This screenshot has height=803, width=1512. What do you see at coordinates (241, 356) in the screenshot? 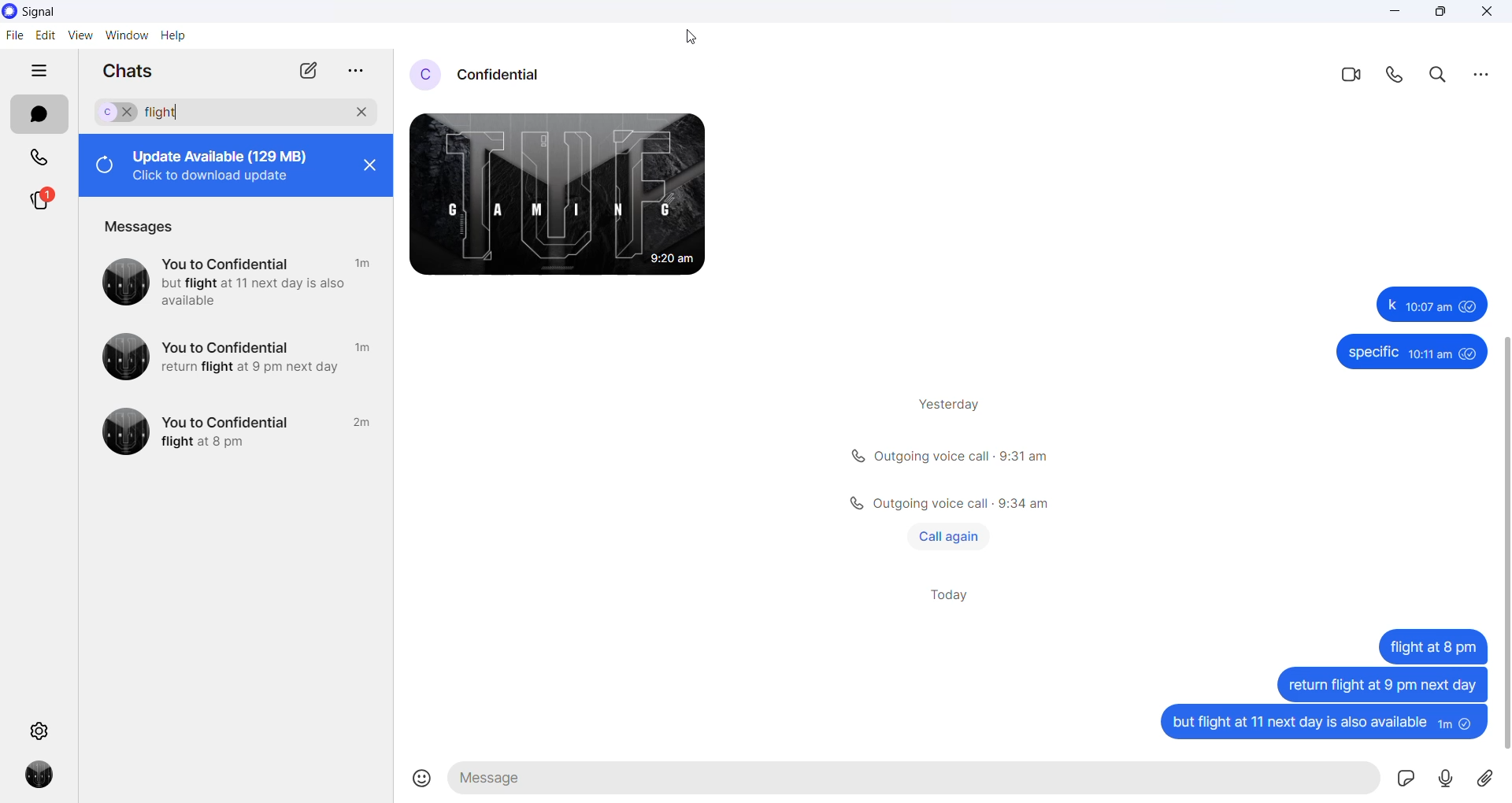
I see `` at bounding box center [241, 356].